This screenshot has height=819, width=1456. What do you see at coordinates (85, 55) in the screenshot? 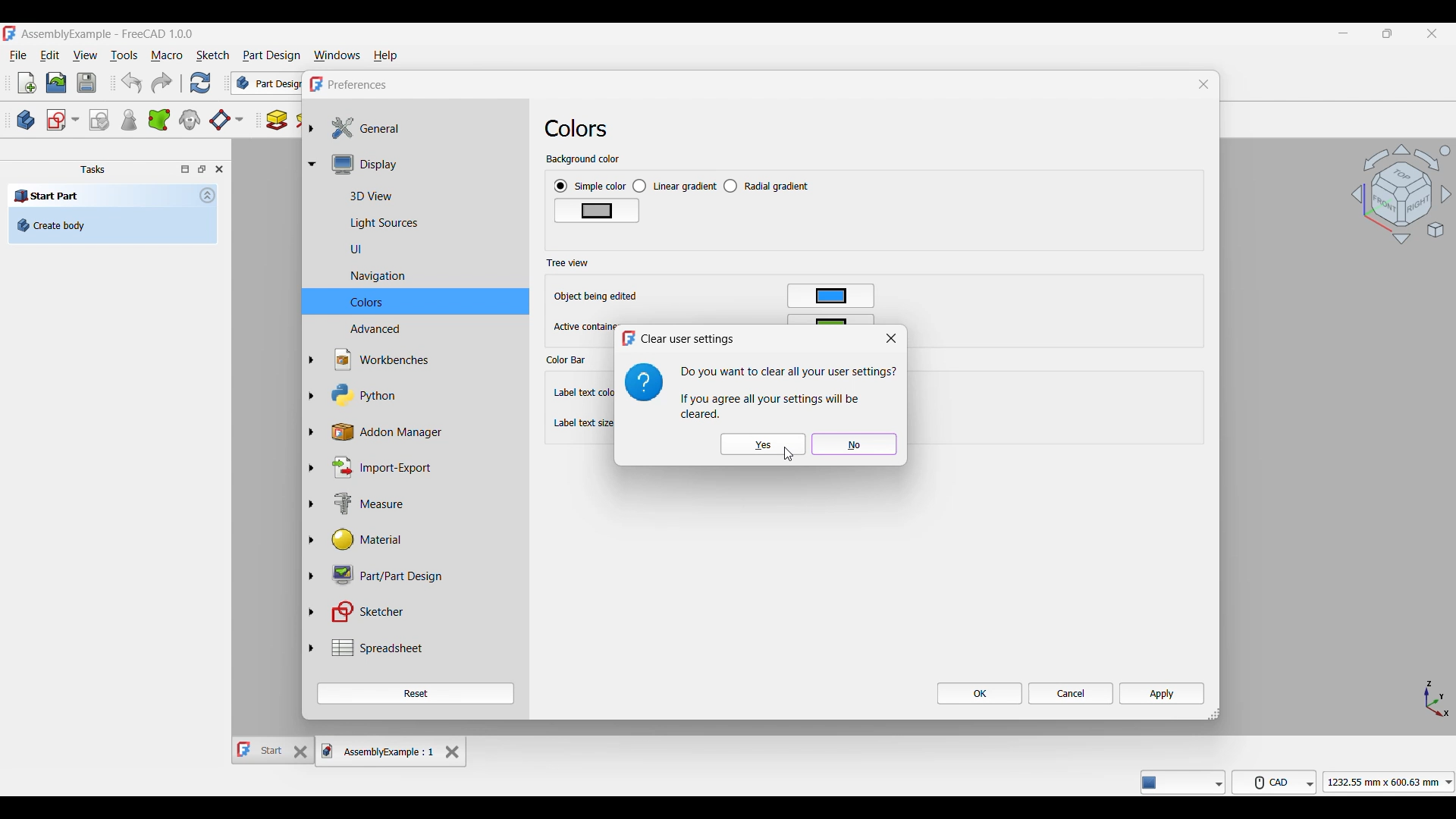
I see `View menu` at bounding box center [85, 55].